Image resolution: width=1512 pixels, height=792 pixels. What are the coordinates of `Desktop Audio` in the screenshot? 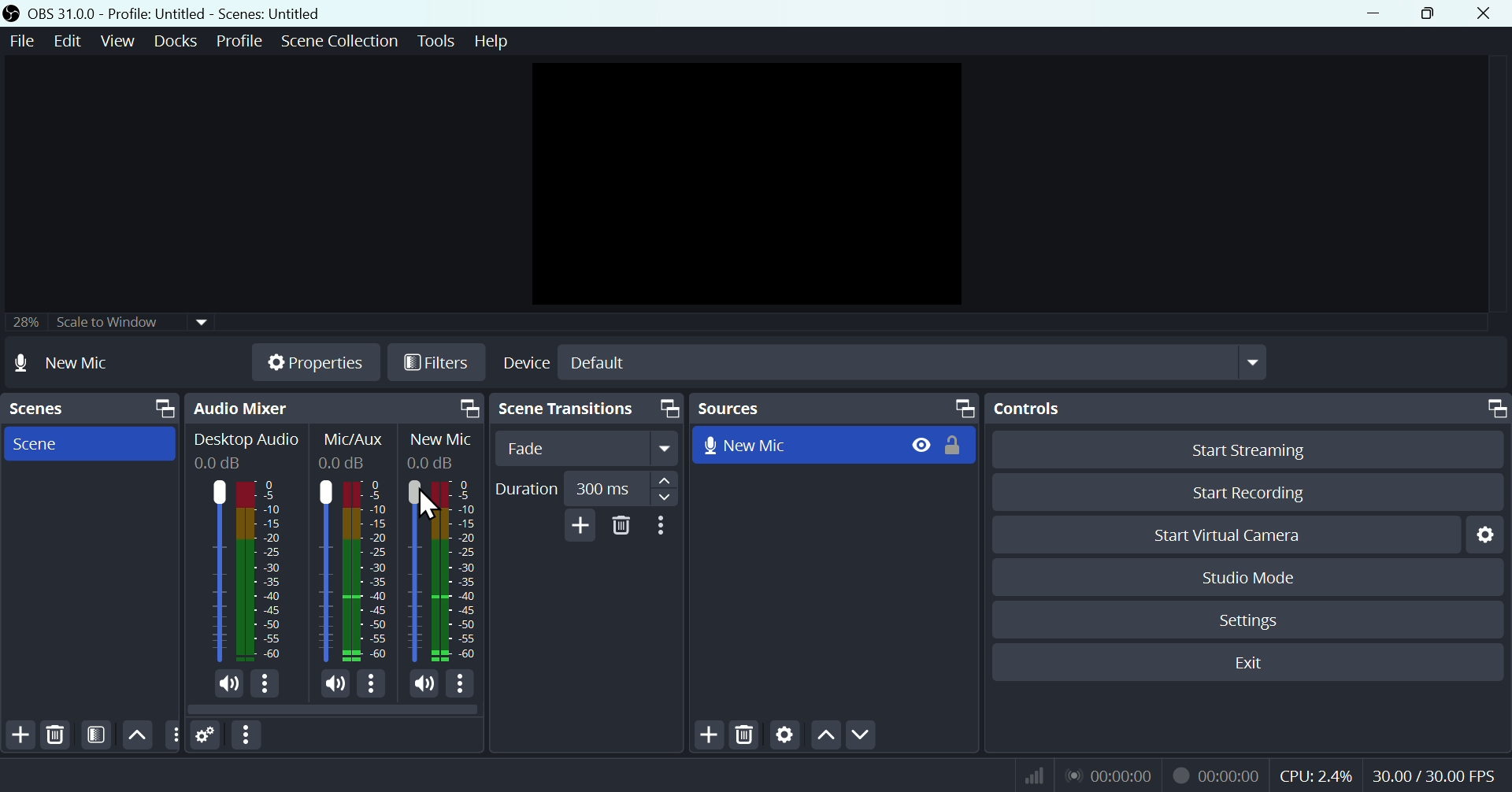 It's located at (246, 441).